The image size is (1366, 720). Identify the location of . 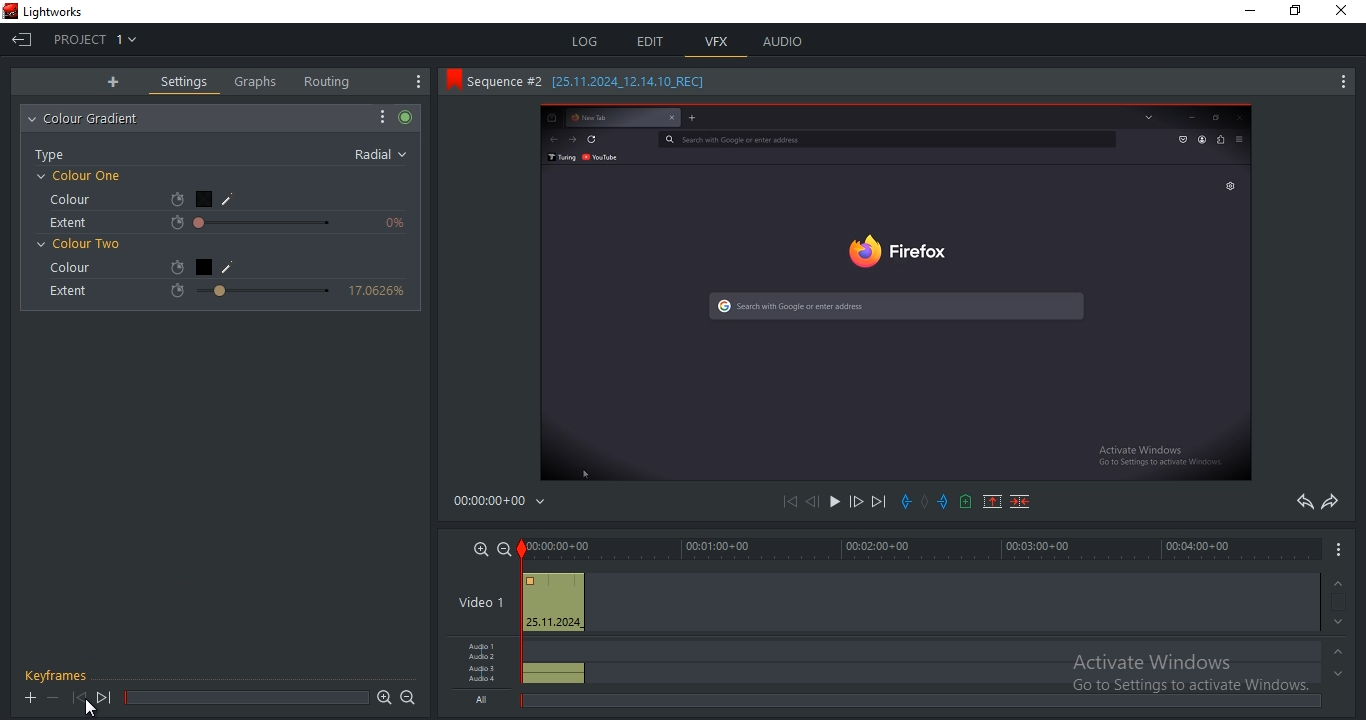
(27, 697).